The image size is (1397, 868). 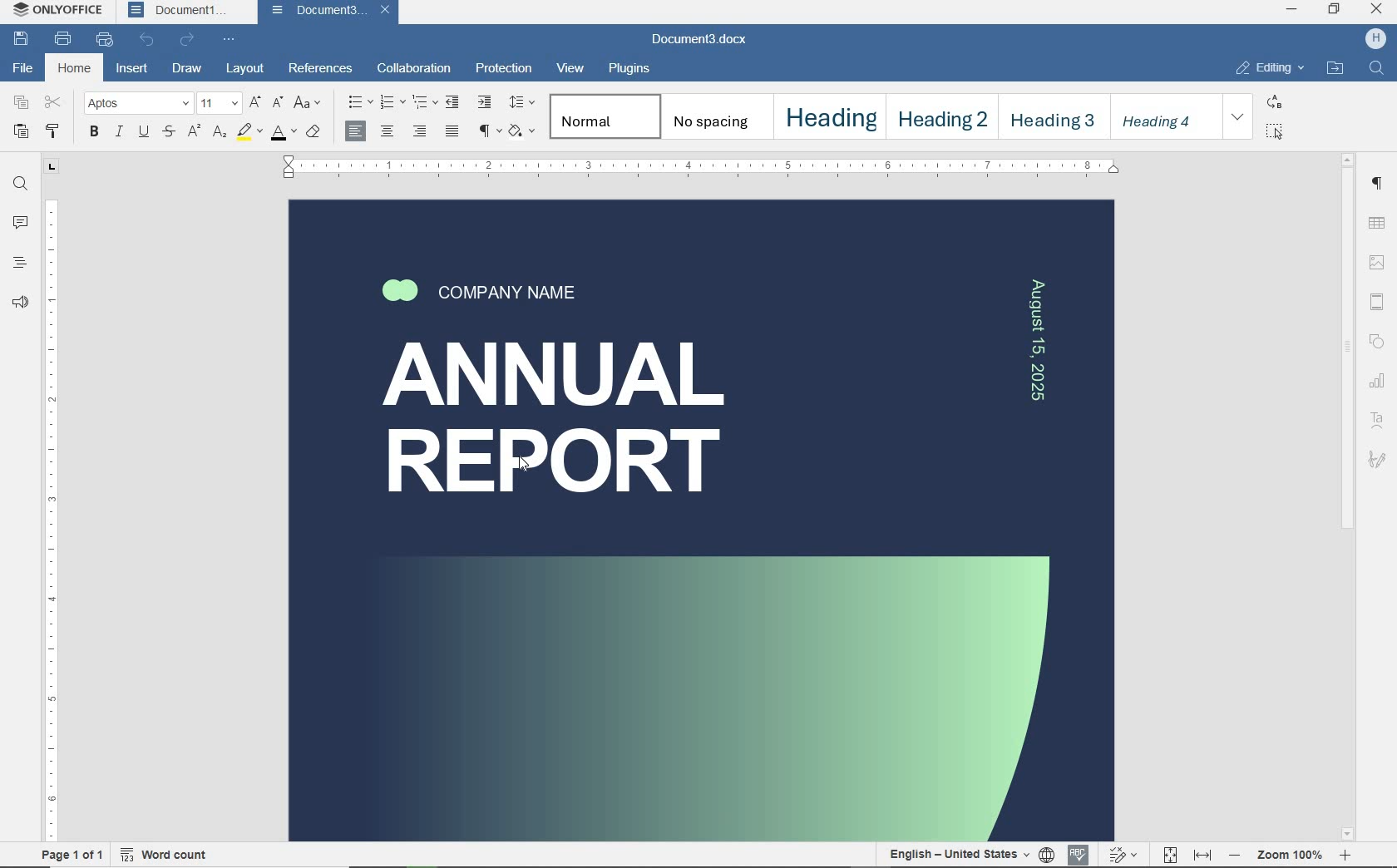 What do you see at coordinates (1172, 855) in the screenshot?
I see `fit to page` at bounding box center [1172, 855].